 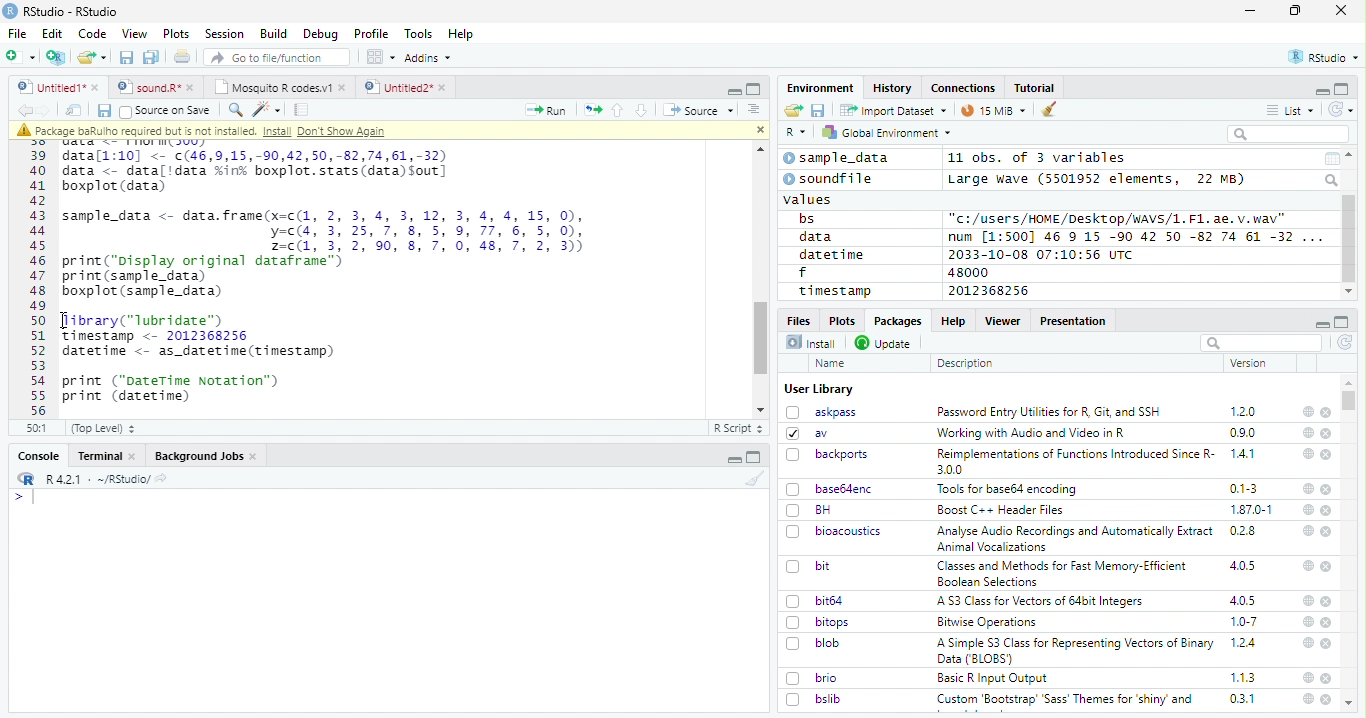 I want to click on RStudio - RStudio, so click(x=71, y=11).